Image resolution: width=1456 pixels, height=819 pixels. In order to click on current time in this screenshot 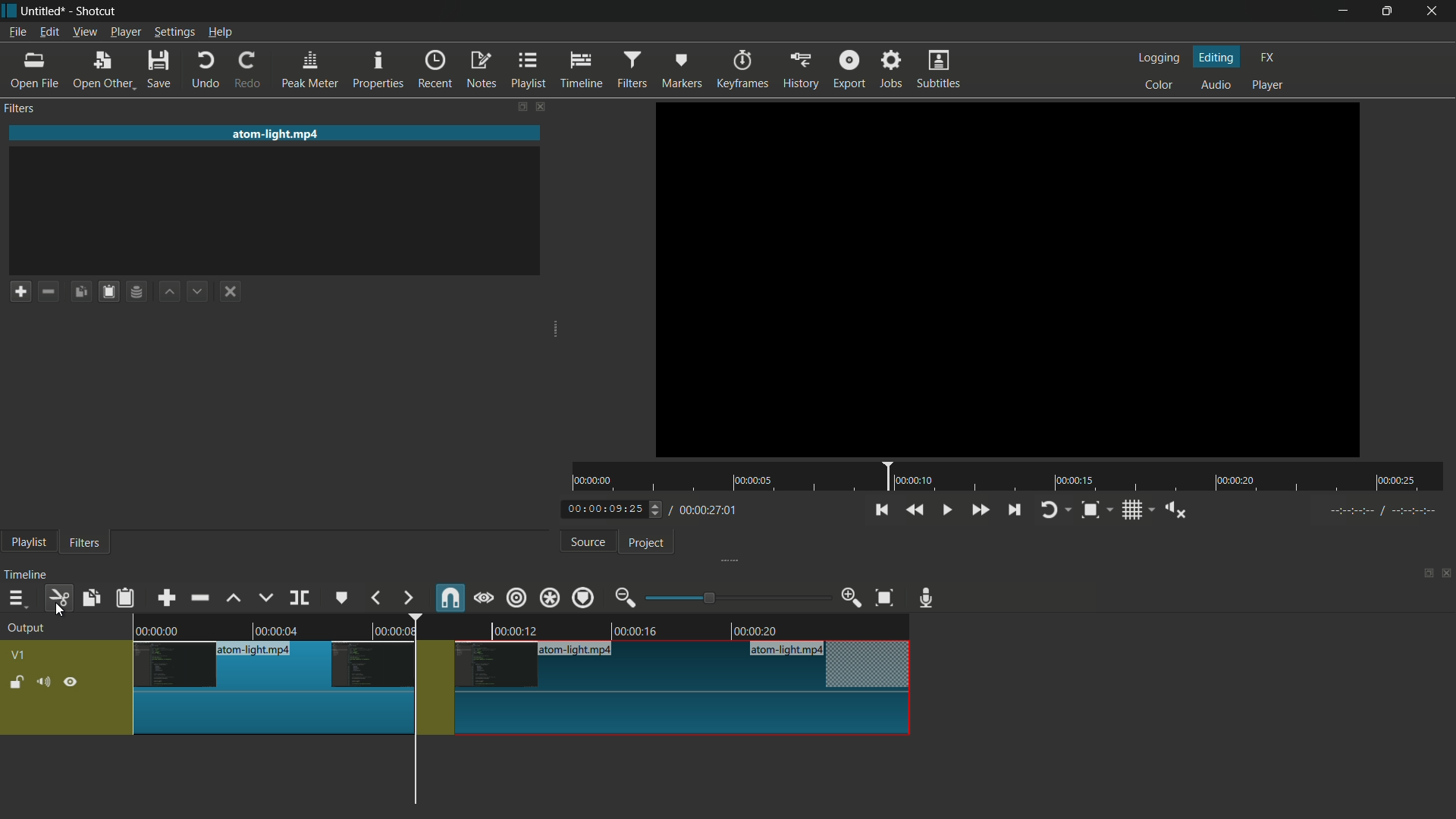, I will do `click(610, 510)`.